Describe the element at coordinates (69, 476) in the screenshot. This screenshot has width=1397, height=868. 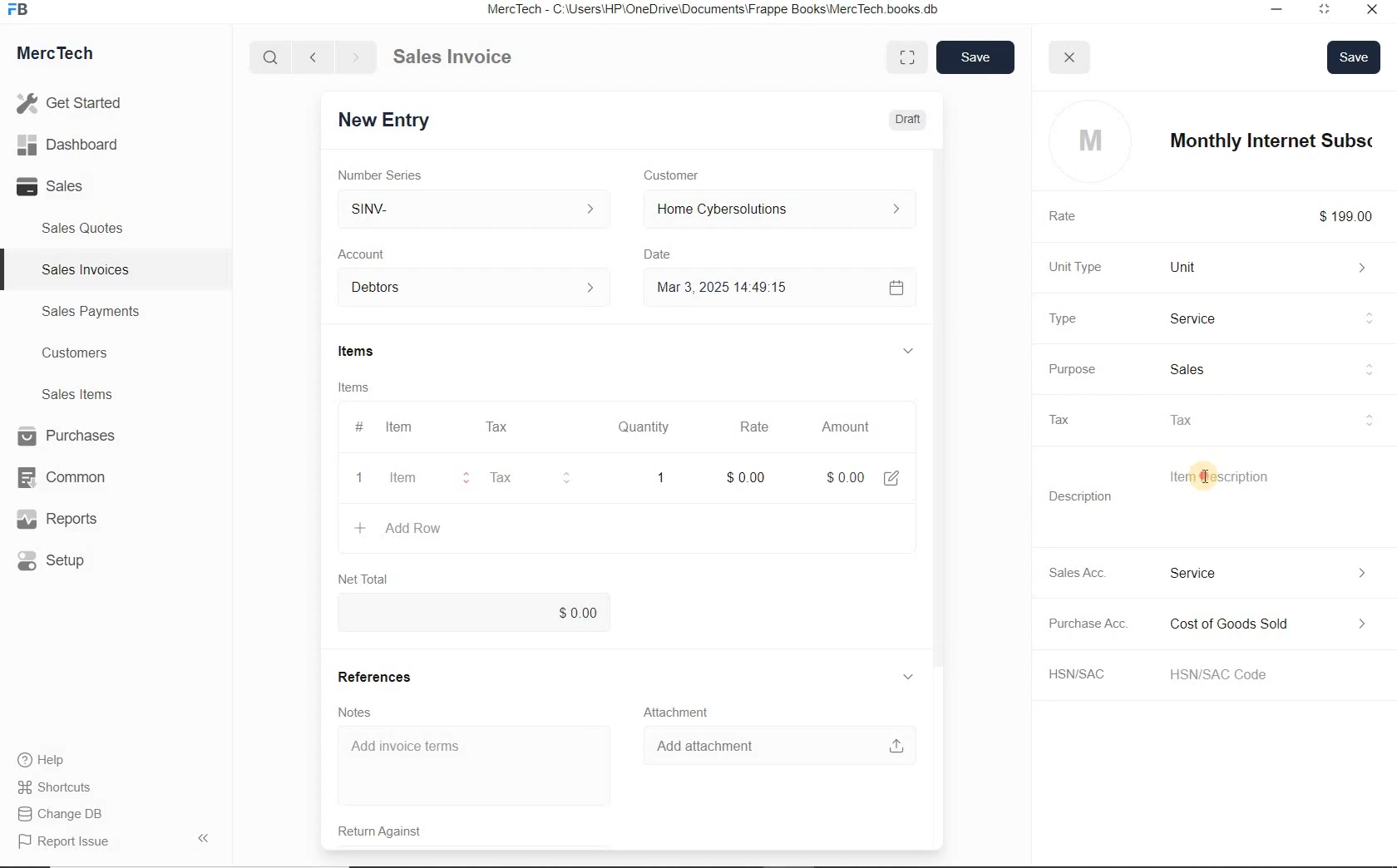
I see `Common` at that location.